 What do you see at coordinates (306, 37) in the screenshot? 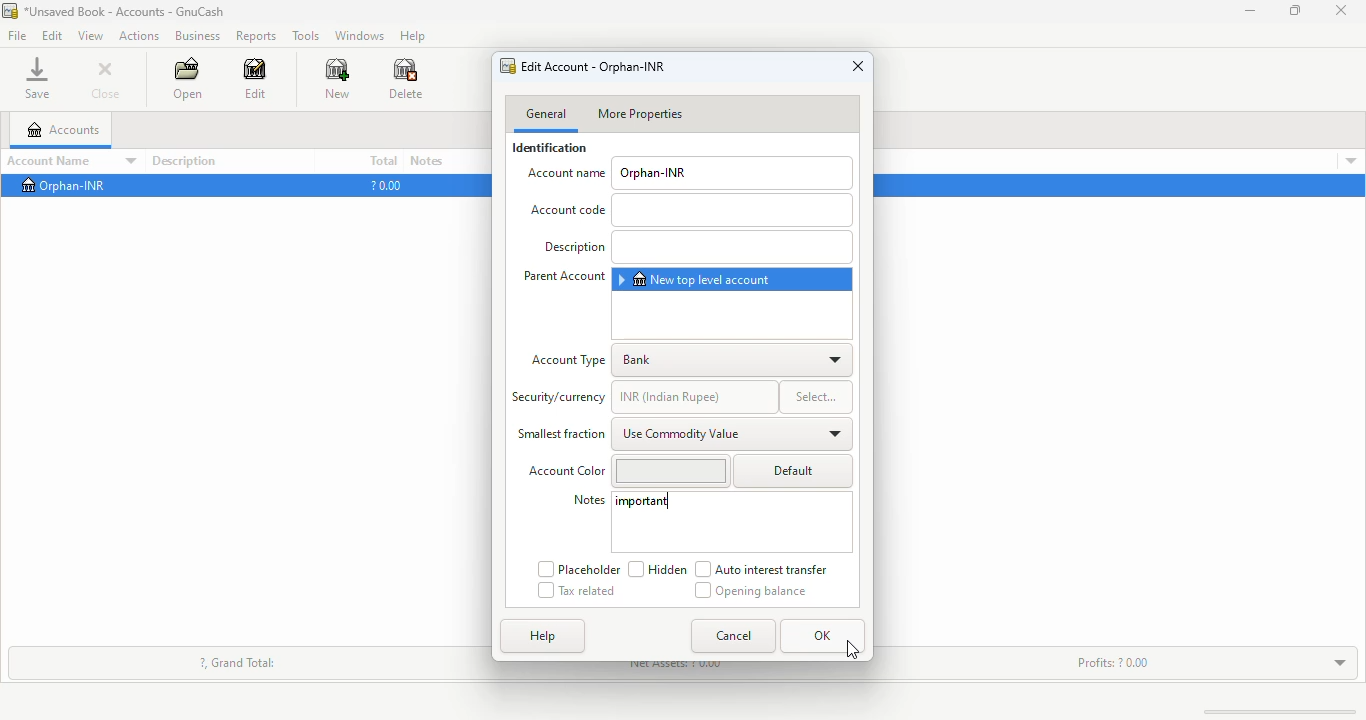
I see `tools` at bounding box center [306, 37].